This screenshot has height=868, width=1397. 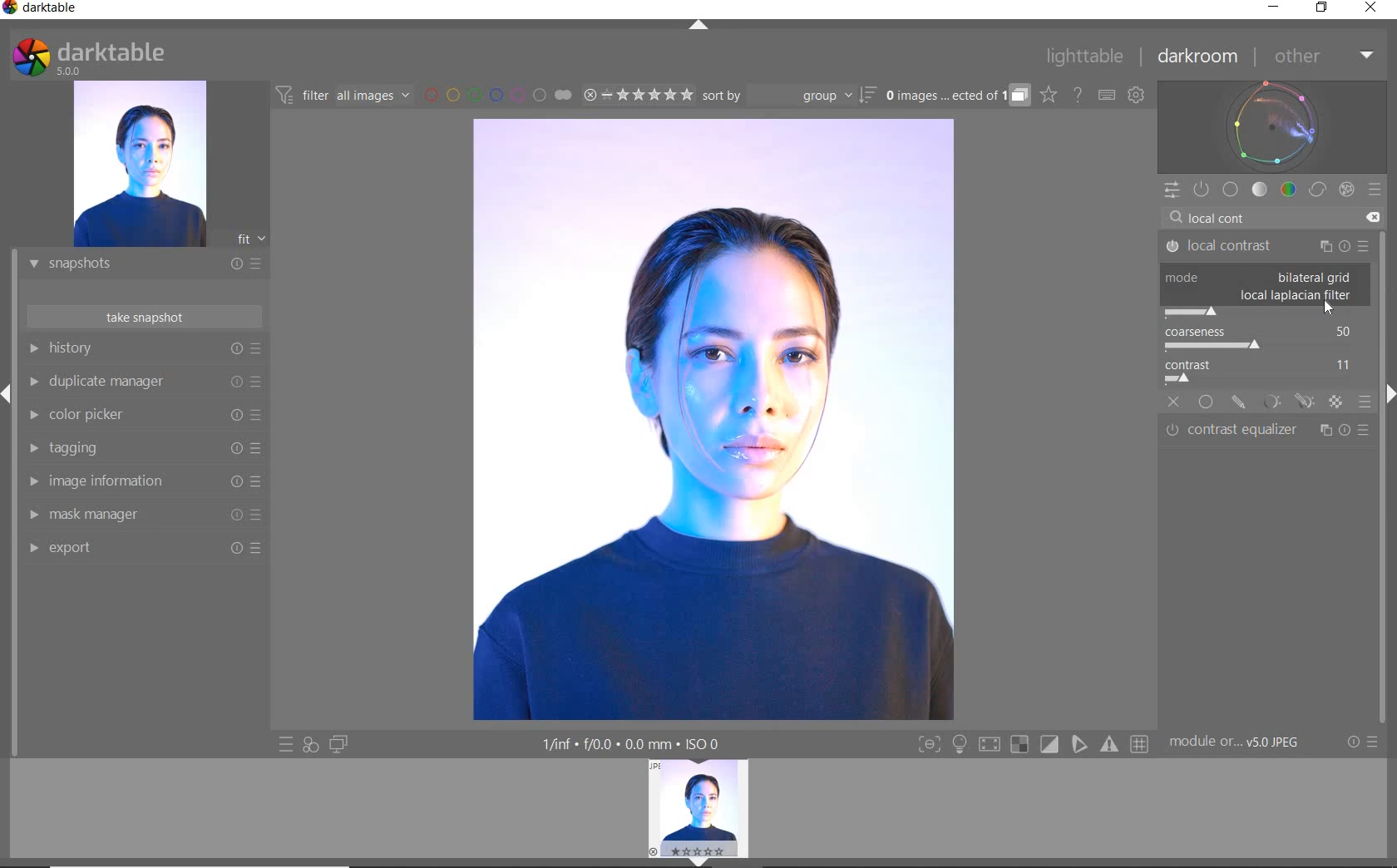 I want to click on COLOR PICKER, so click(x=141, y=416).